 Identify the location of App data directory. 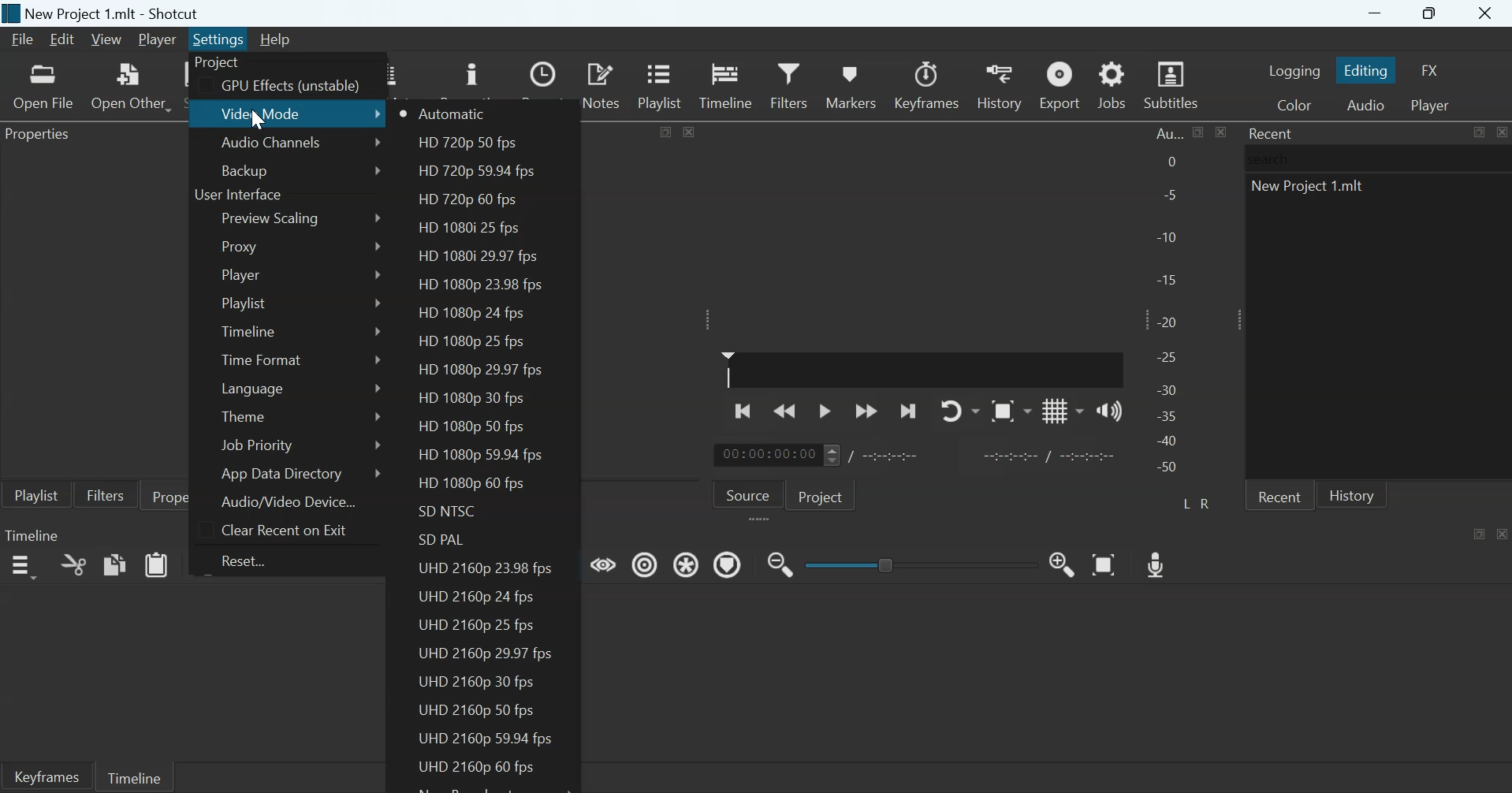
(284, 474).